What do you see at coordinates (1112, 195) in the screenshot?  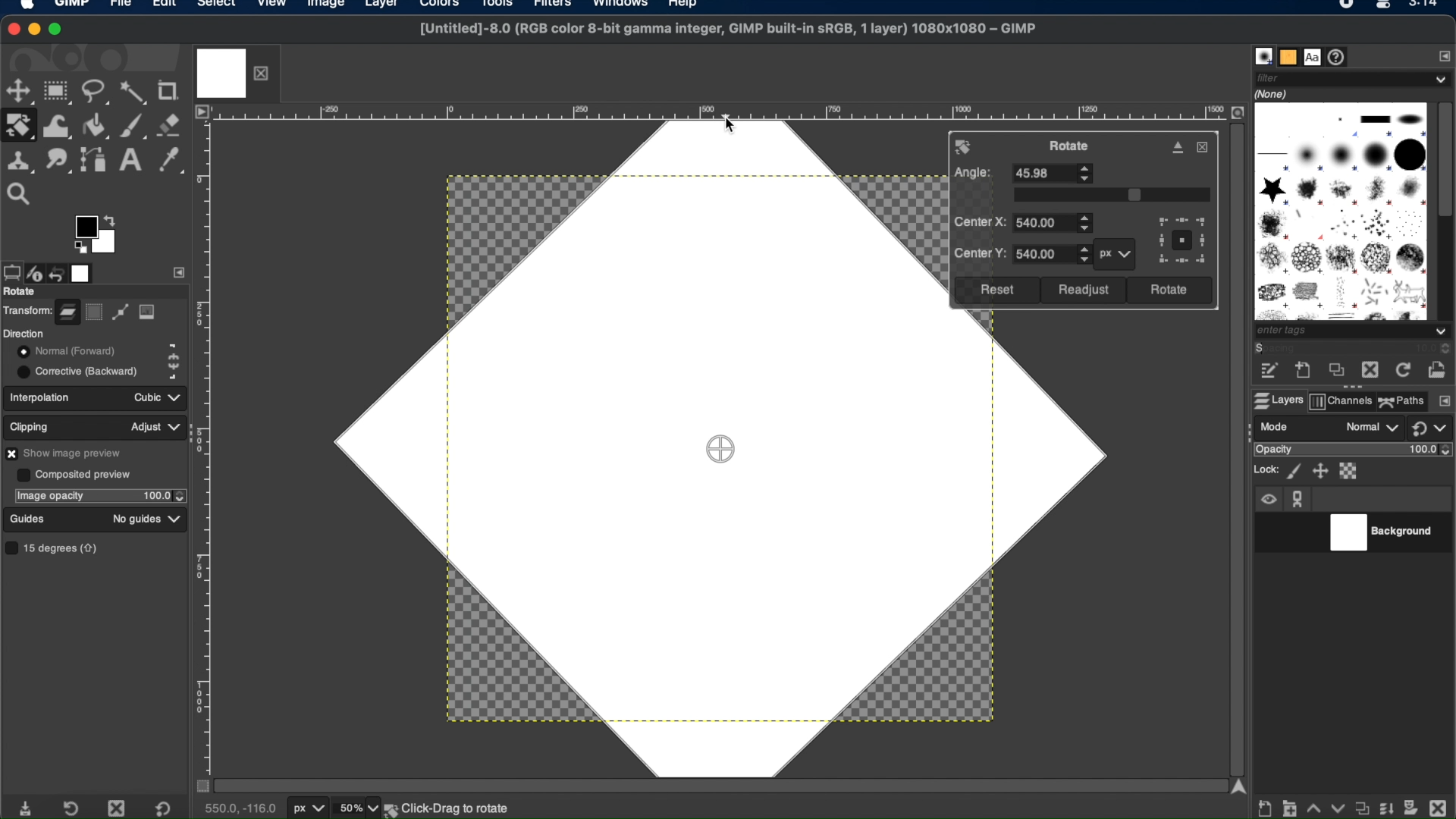 I see `slider` at bounding box center [1112, 195].